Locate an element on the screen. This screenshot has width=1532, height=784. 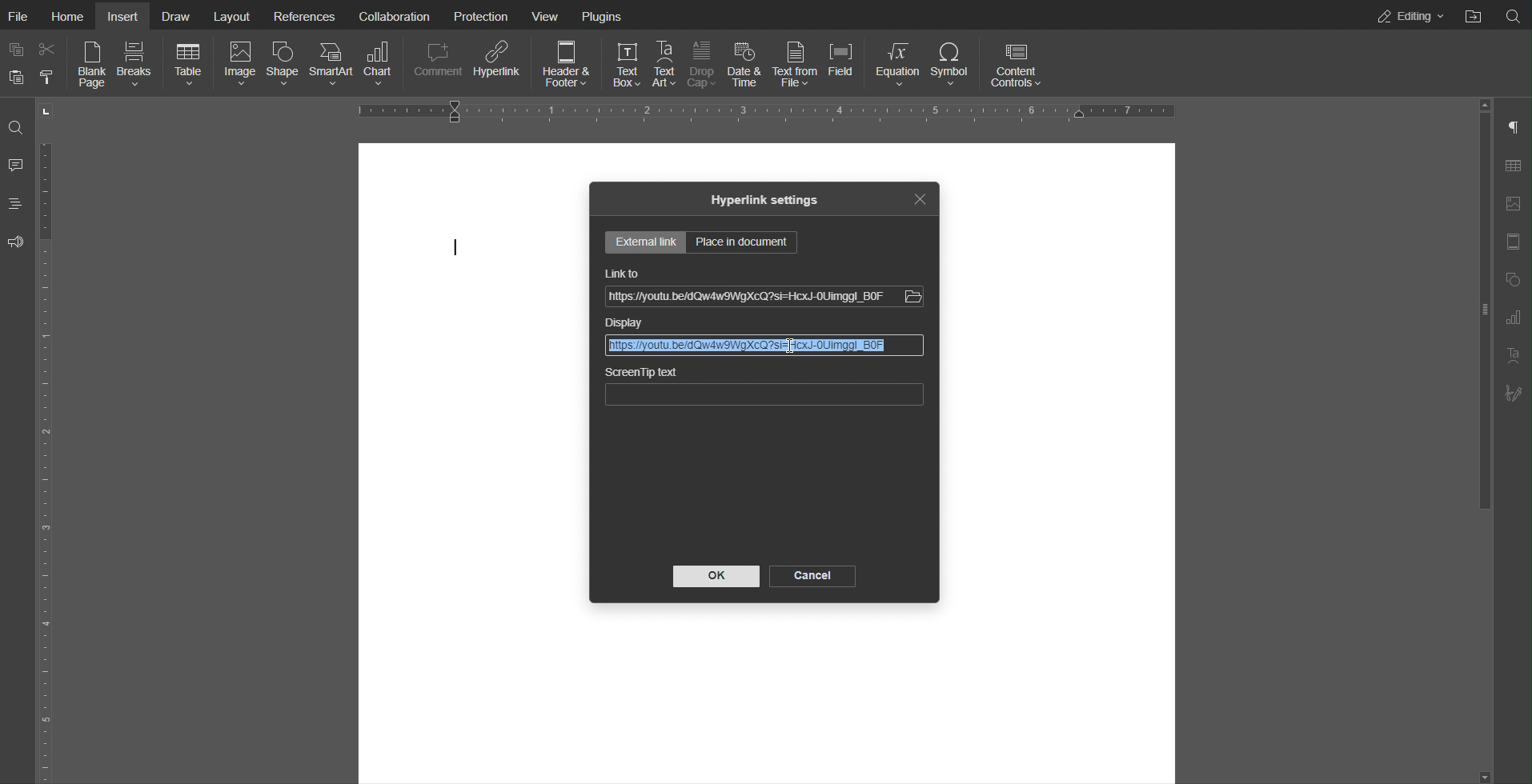
cursor is located at coordinates (455, 246).